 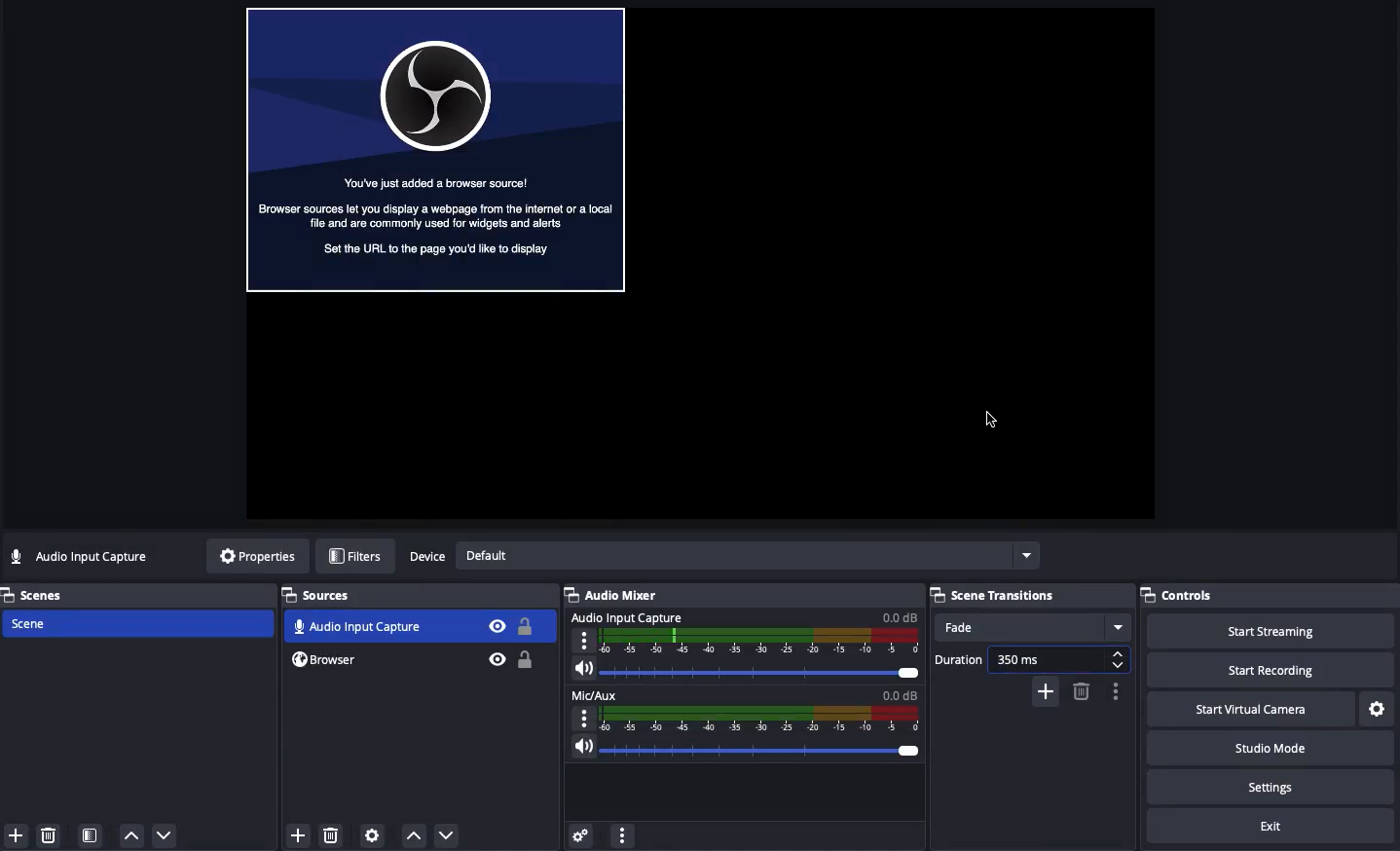 I want to click on Options, so click(x=1117, y=693).